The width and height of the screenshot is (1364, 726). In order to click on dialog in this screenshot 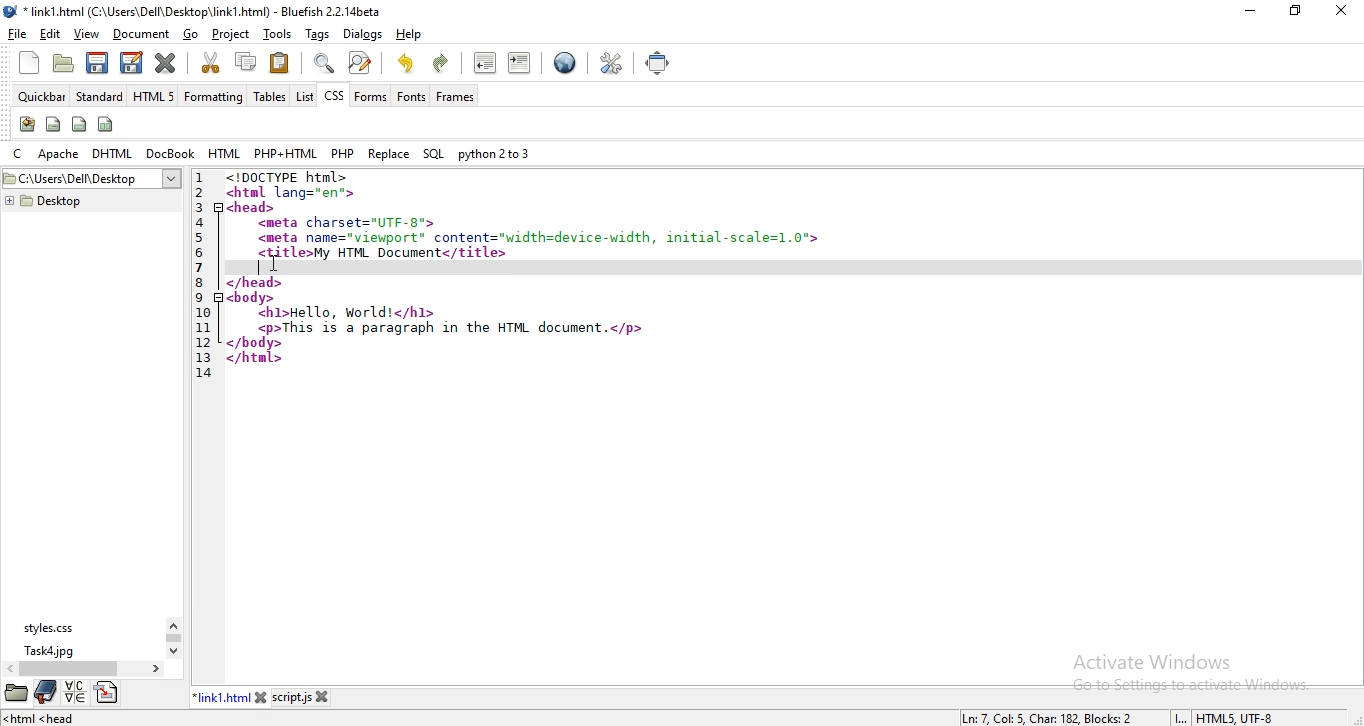, I will do `click(361, 34)`.